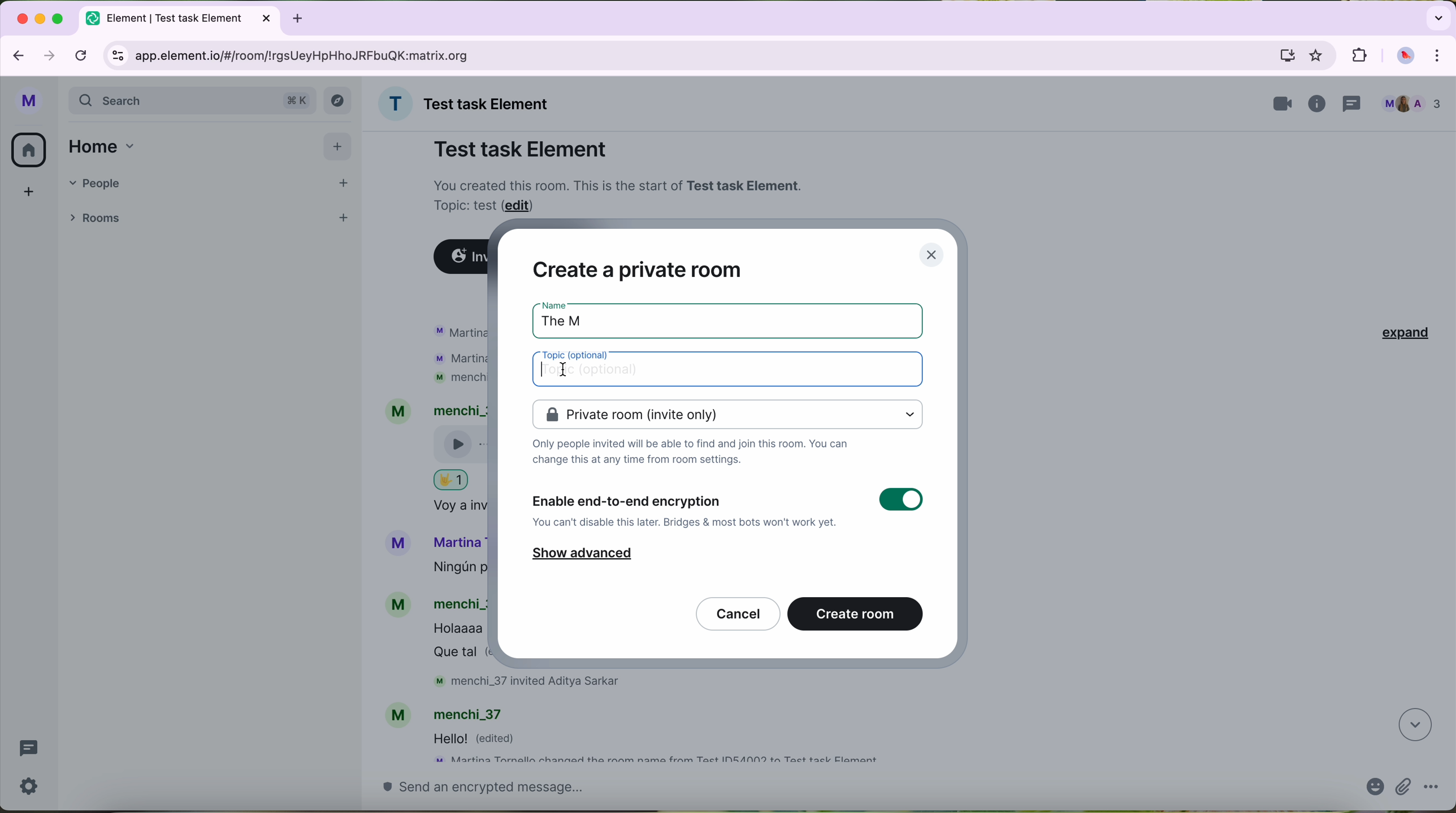  What do you see at coordinates (1319, 105) in the screenshot?
I see `information` at bounding box center [1319, 105].